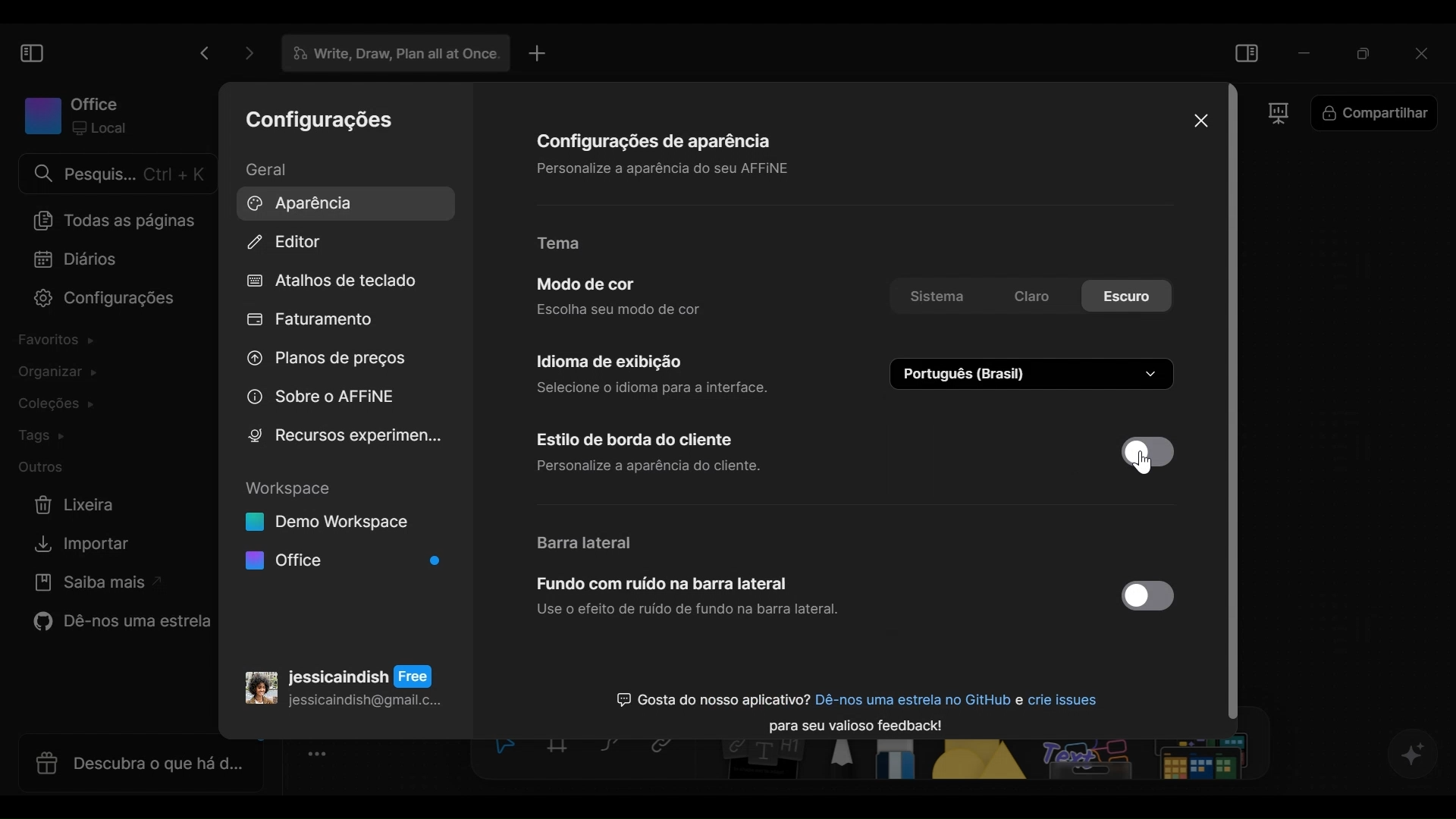 This screenshot has width=1456, height=819. Describe the element at coordinates (1364, 51) in the screenshot. I see `Restore` at that location.